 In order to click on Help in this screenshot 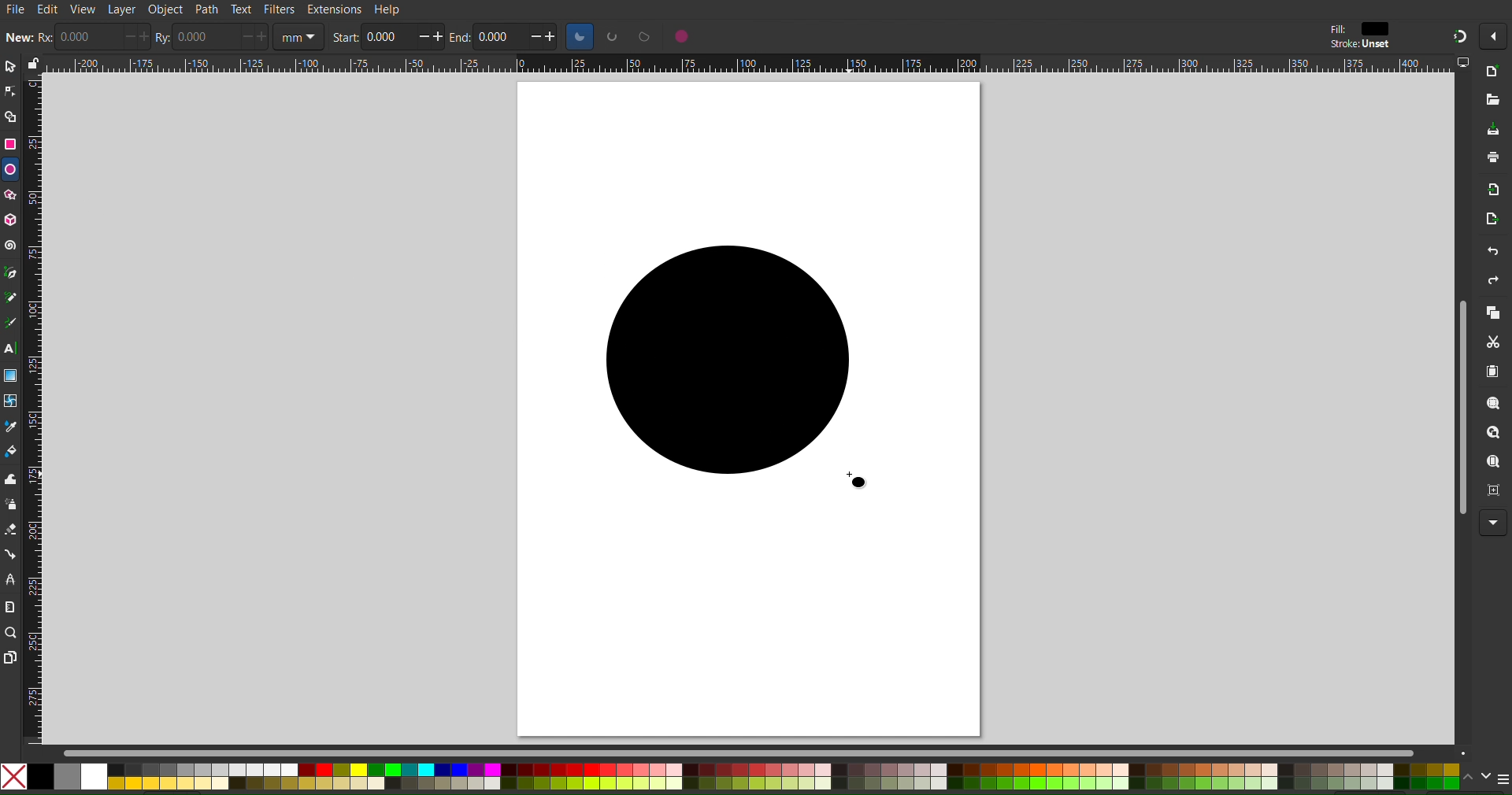, I will do `click(387, 9)`.